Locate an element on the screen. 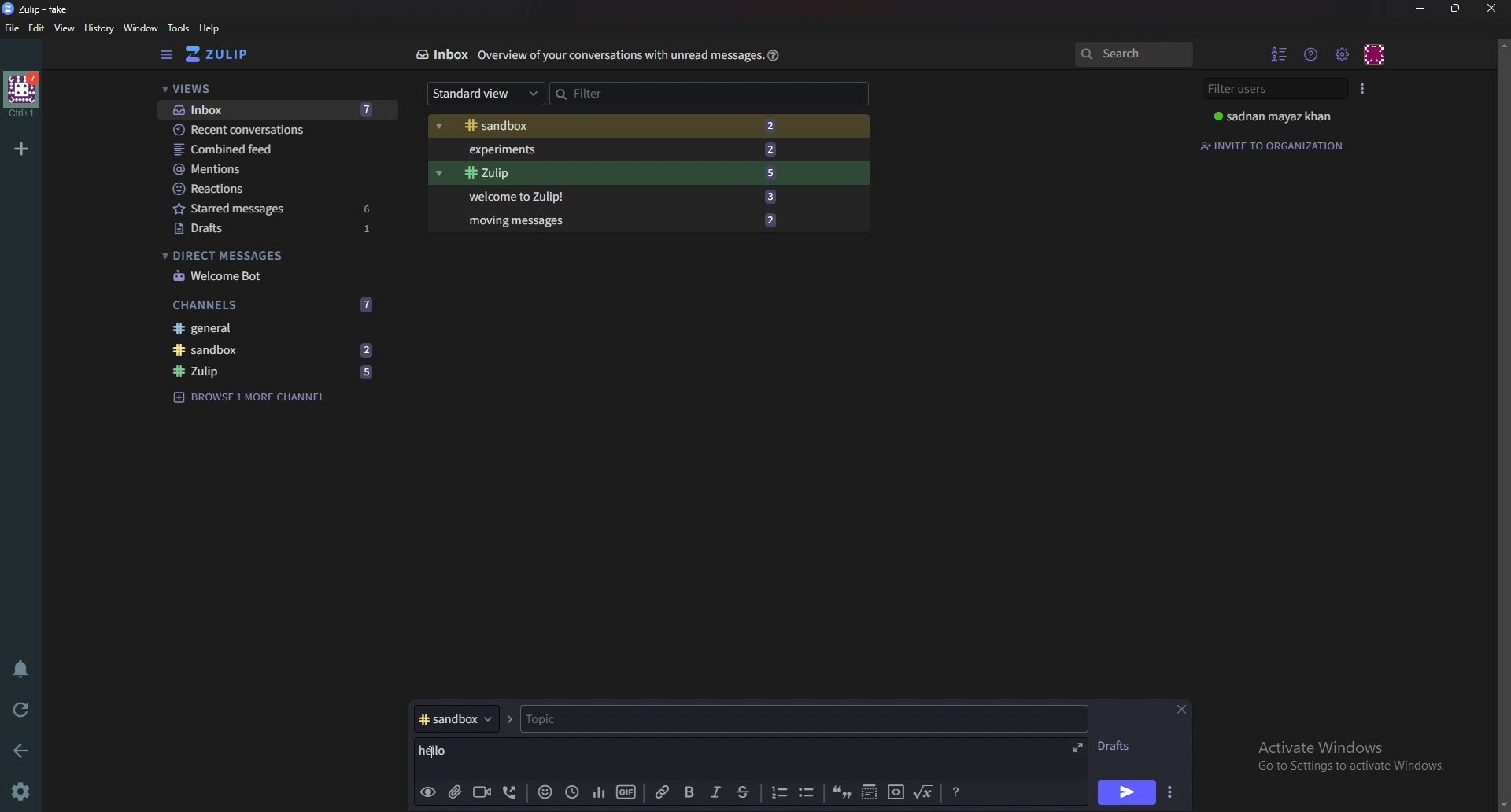 The height and width of the screenshot is (812, 1511). Browse 1 more channel is located at coordinates (254, 397).